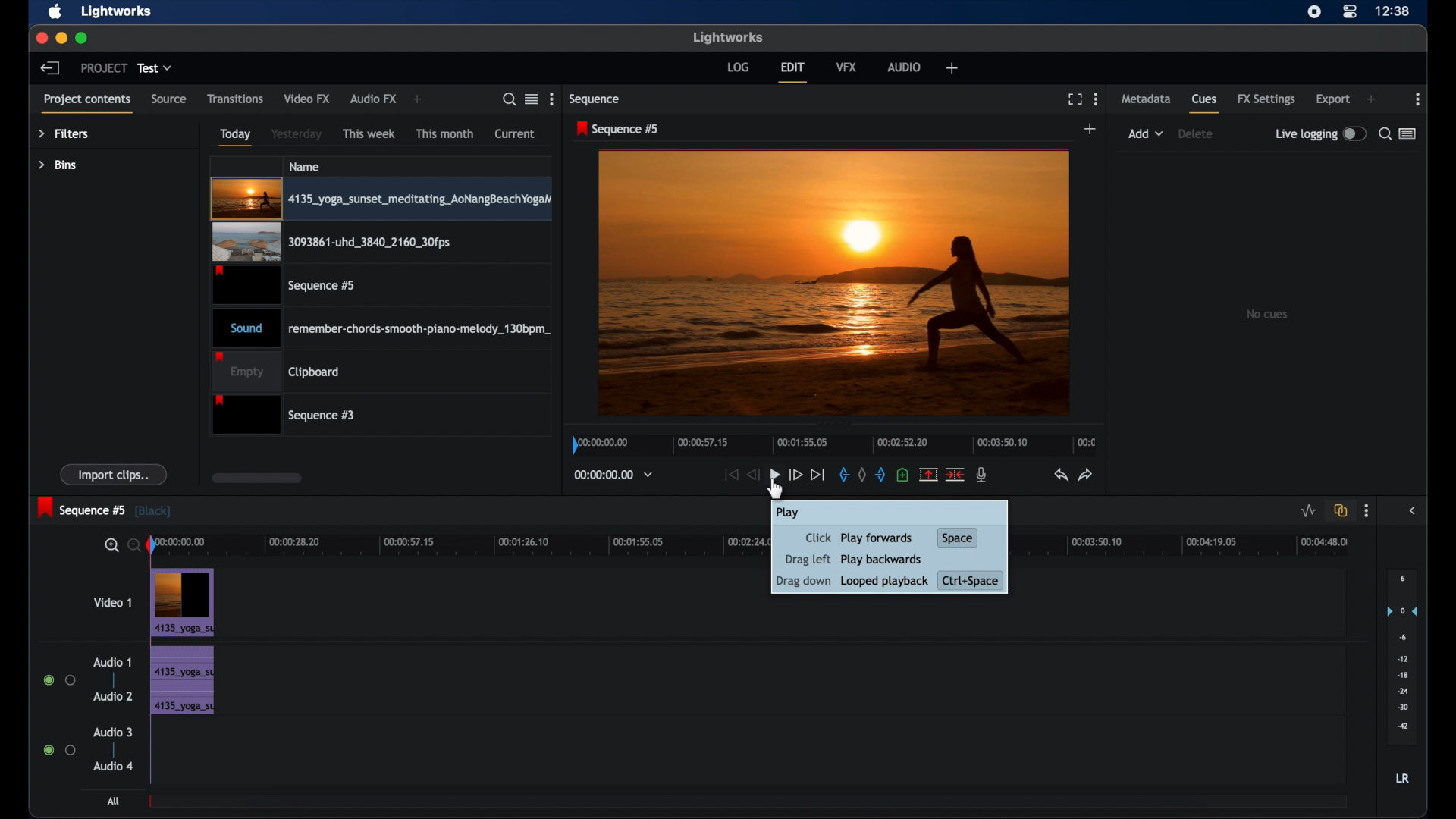  Describe the element at coordinates (105, 507) in the screenshot. I see `sequence` at that location.